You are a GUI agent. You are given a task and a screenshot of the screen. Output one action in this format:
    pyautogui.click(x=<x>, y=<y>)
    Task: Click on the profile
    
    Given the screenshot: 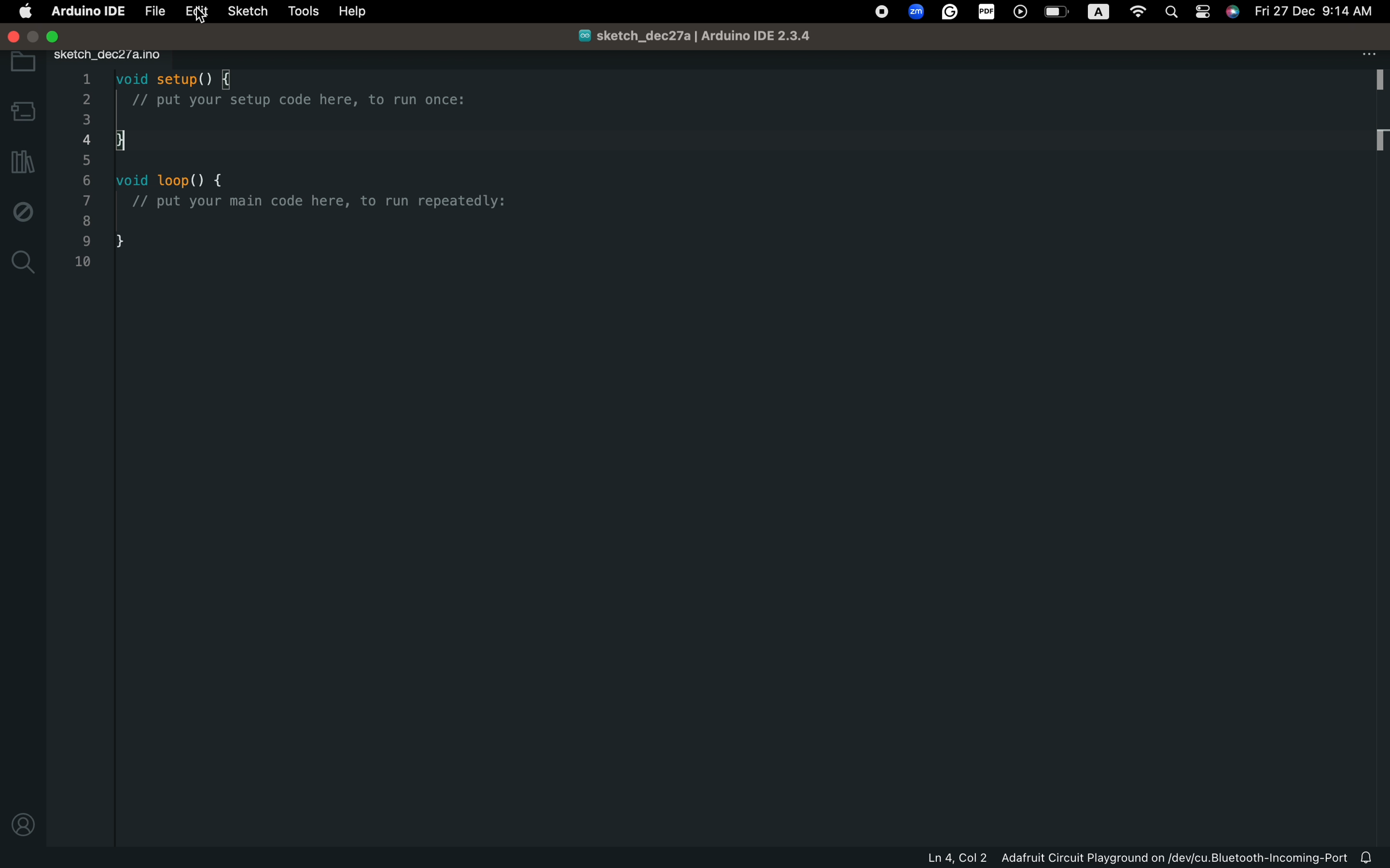 What is the action you would take?
    pyautogui.click(x=20, y=826)
    